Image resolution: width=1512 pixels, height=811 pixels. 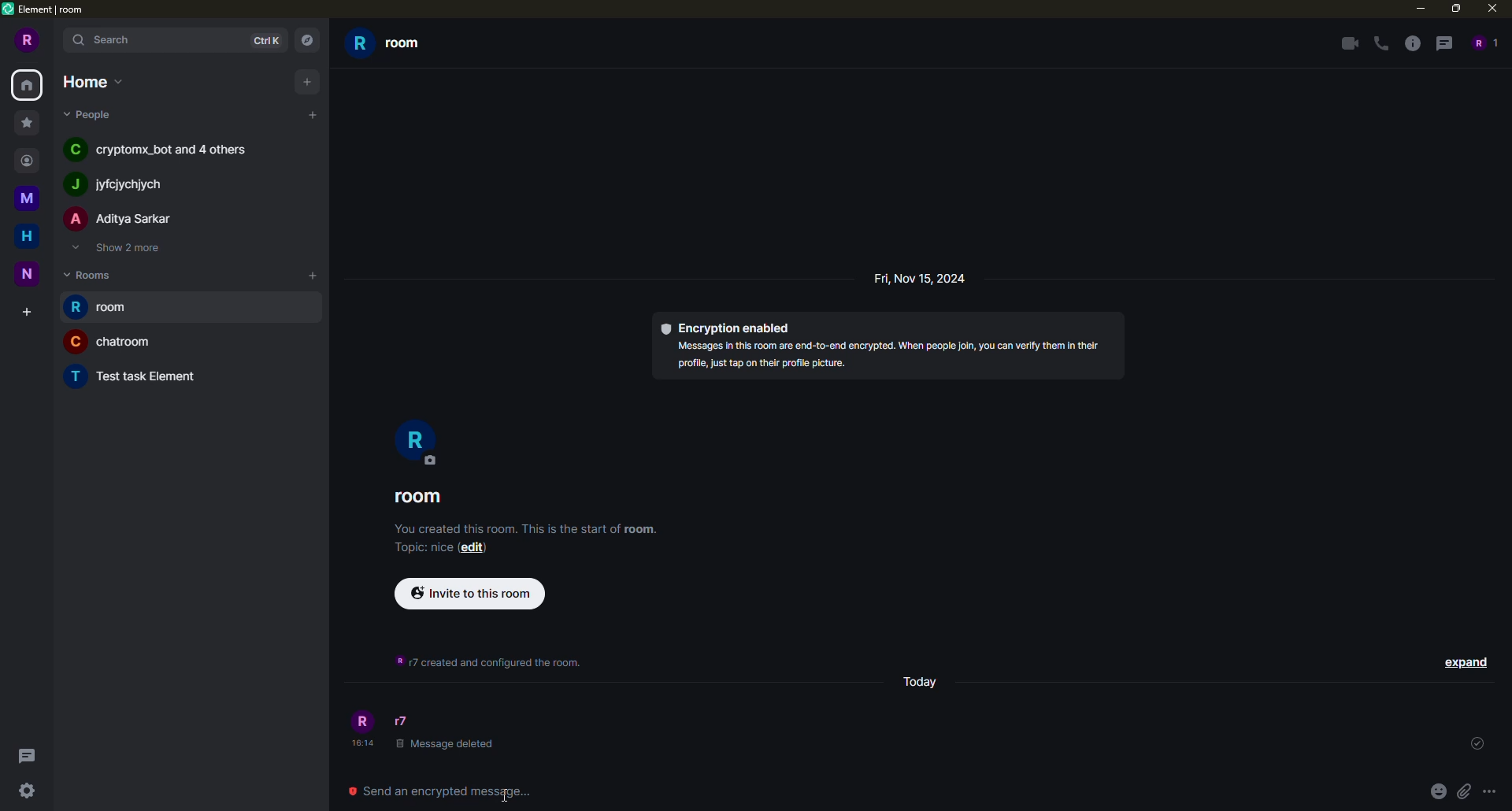 What do you see at coordinates (361, 742) in the screenshot?
I see `time` at bounding box center [361, 742].